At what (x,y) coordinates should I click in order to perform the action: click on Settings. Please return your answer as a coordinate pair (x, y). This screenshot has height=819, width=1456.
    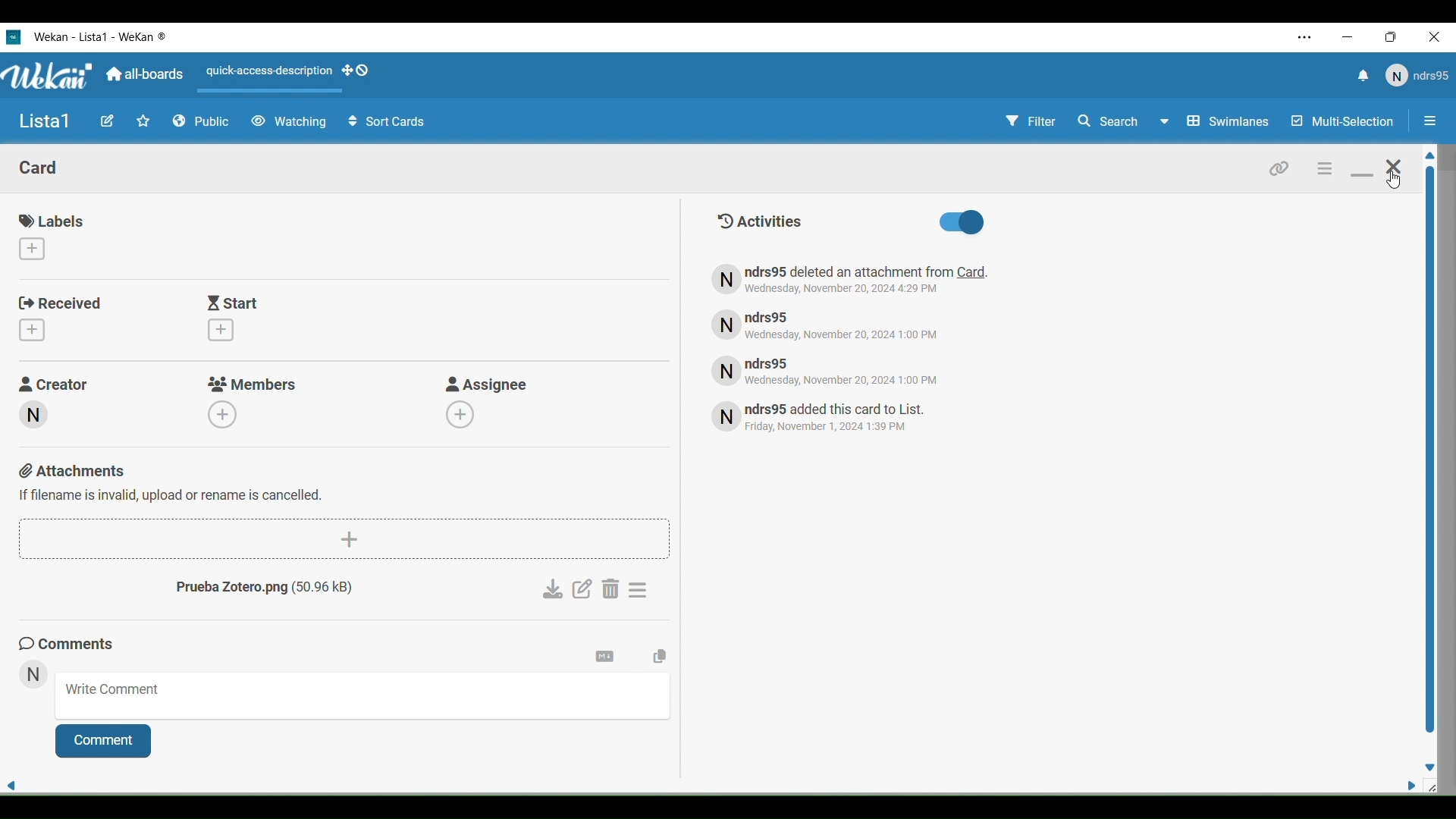
    Looking at the image, I should click on (634, 590).